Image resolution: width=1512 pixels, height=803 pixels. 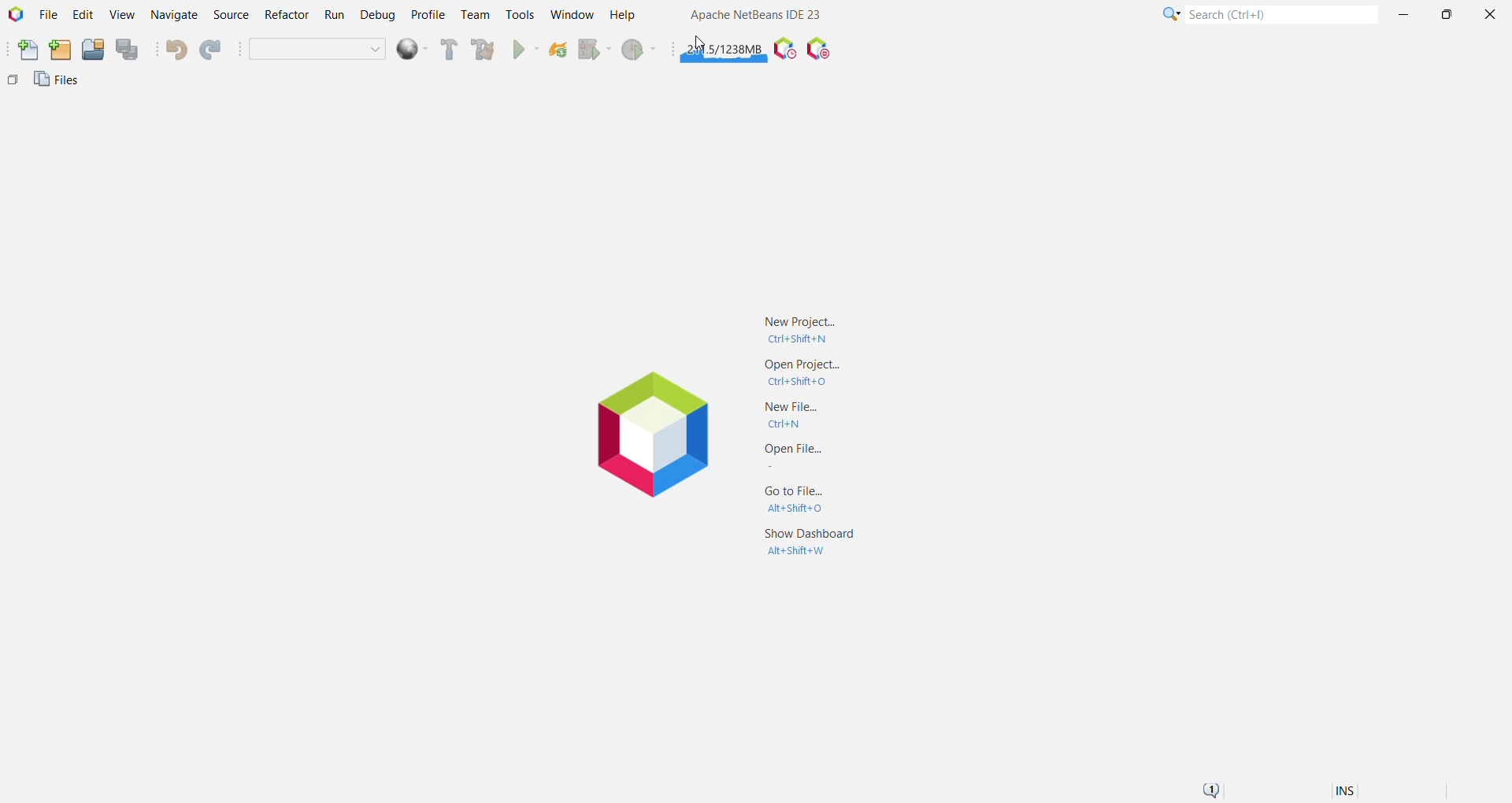 What do you see at coordinates (791, 449) in the screenshot?
I see `Open File` at bounding box center [791, 449].